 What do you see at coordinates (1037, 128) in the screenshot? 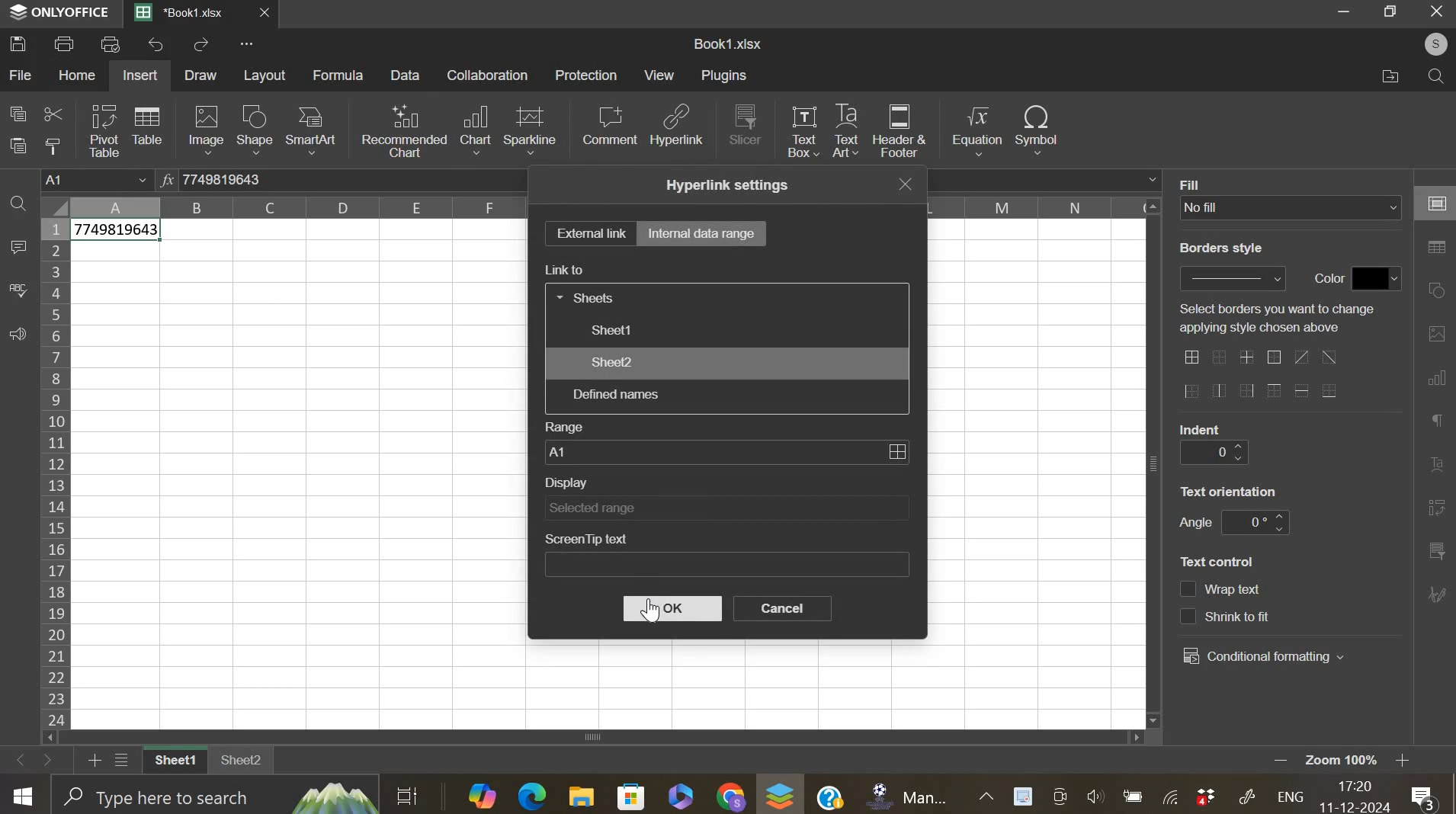
I see `symbol` at bounding box center [1037, 128].